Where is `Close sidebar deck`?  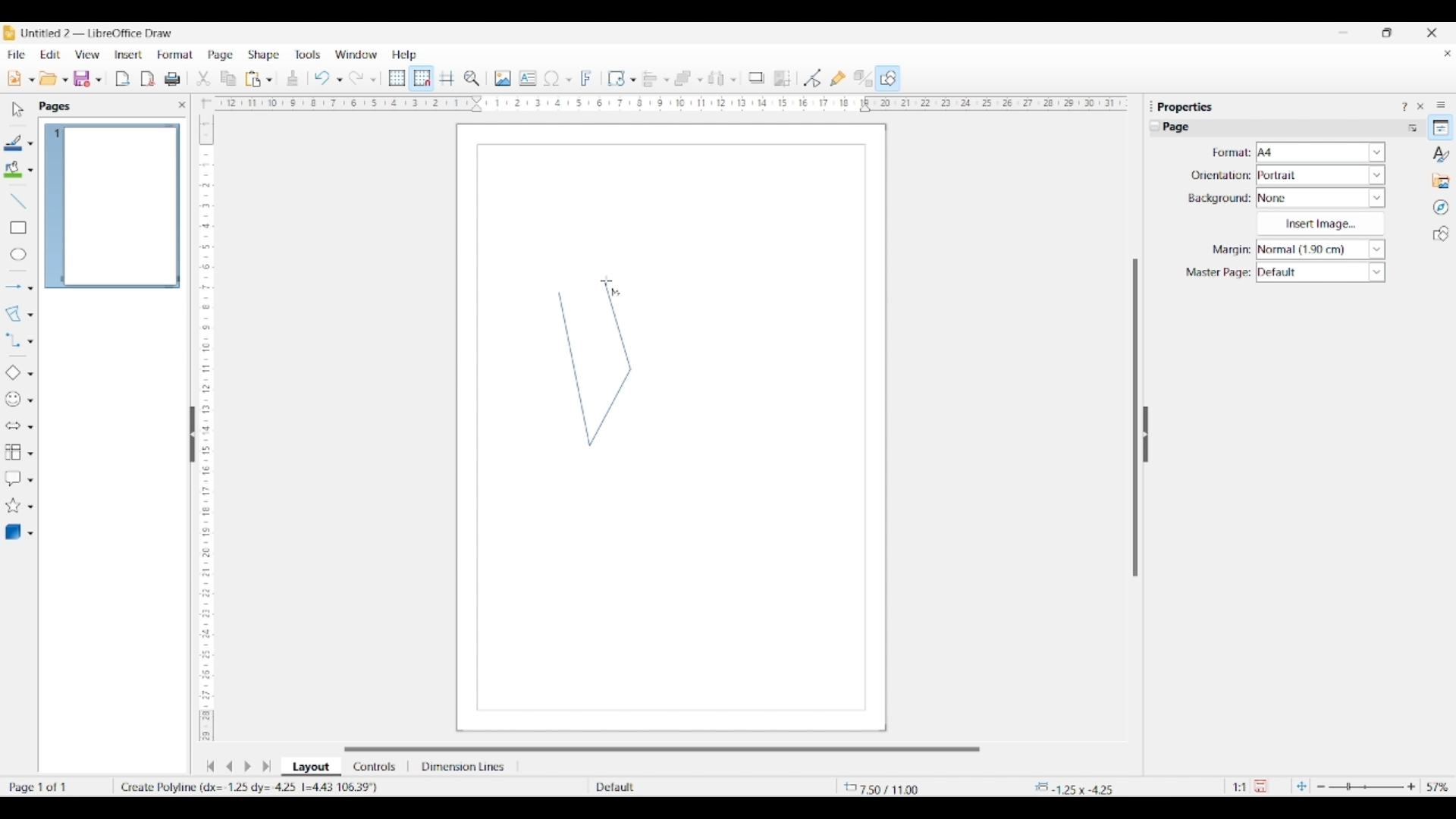
Close sidebar deck is located at coordinates (1420, 106).